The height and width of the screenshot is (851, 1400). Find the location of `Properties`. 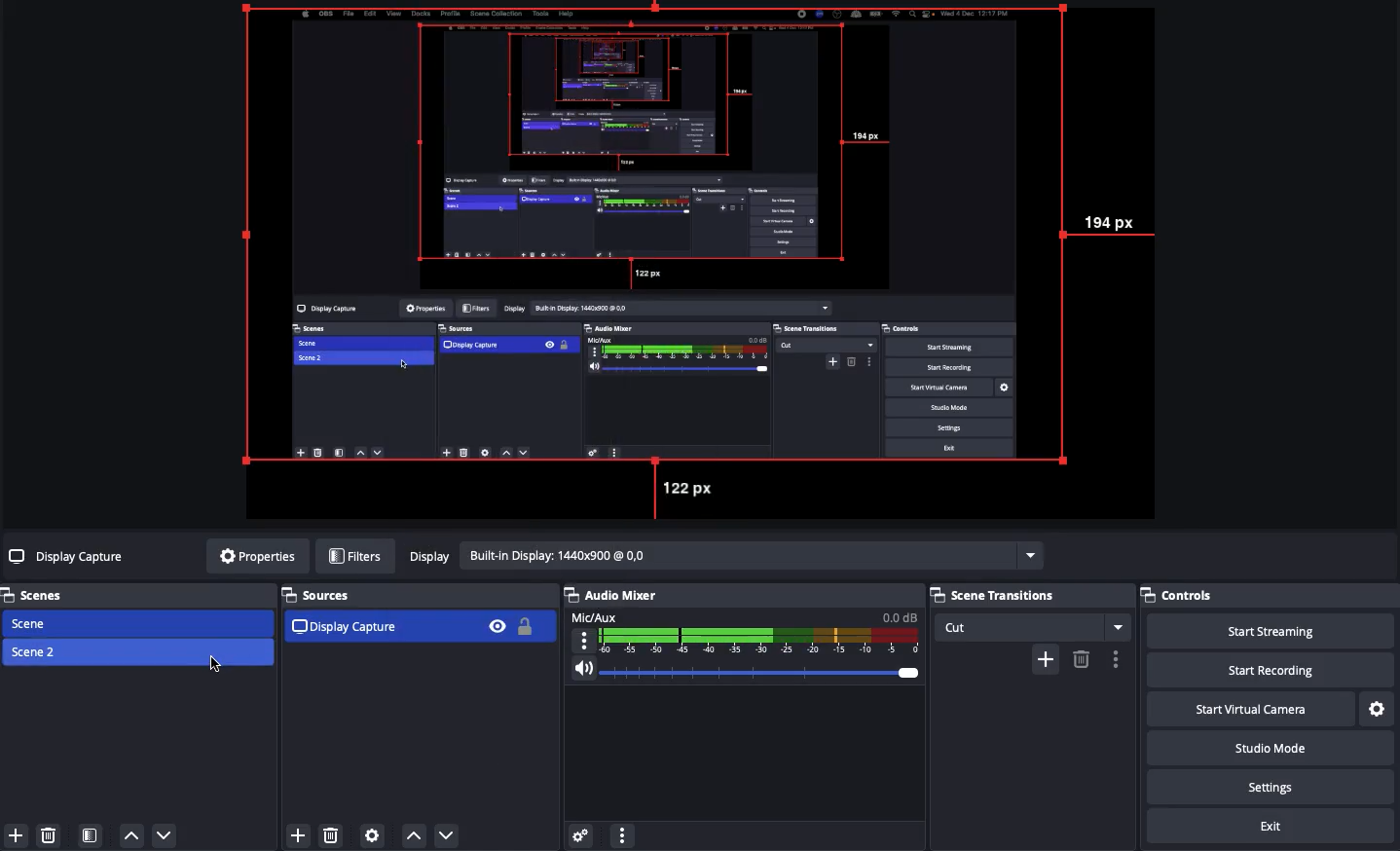

Properties is located at coordinates (257, 555).